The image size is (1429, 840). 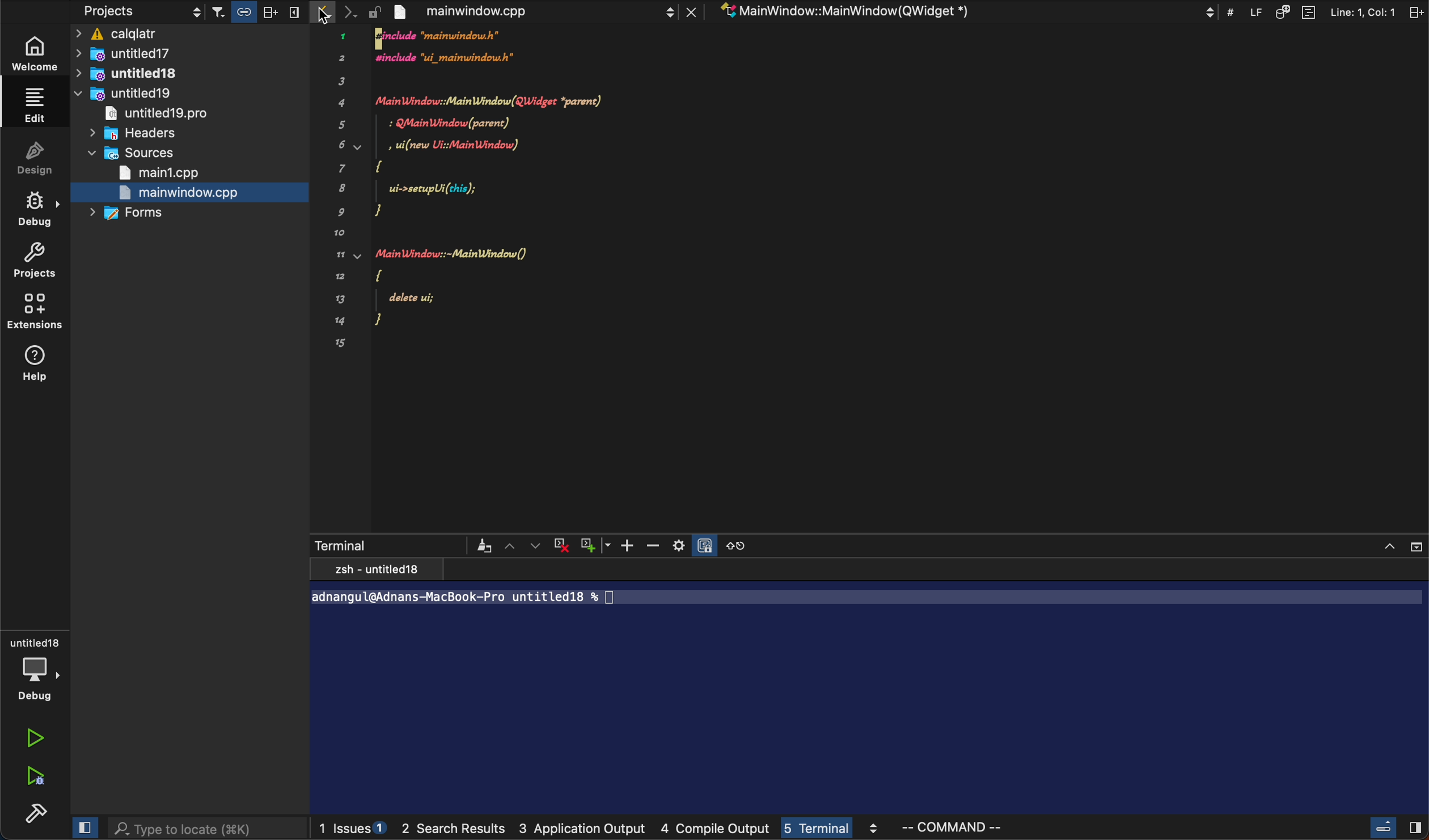 I want to click on untitled 19, so click(x=130, y=95).